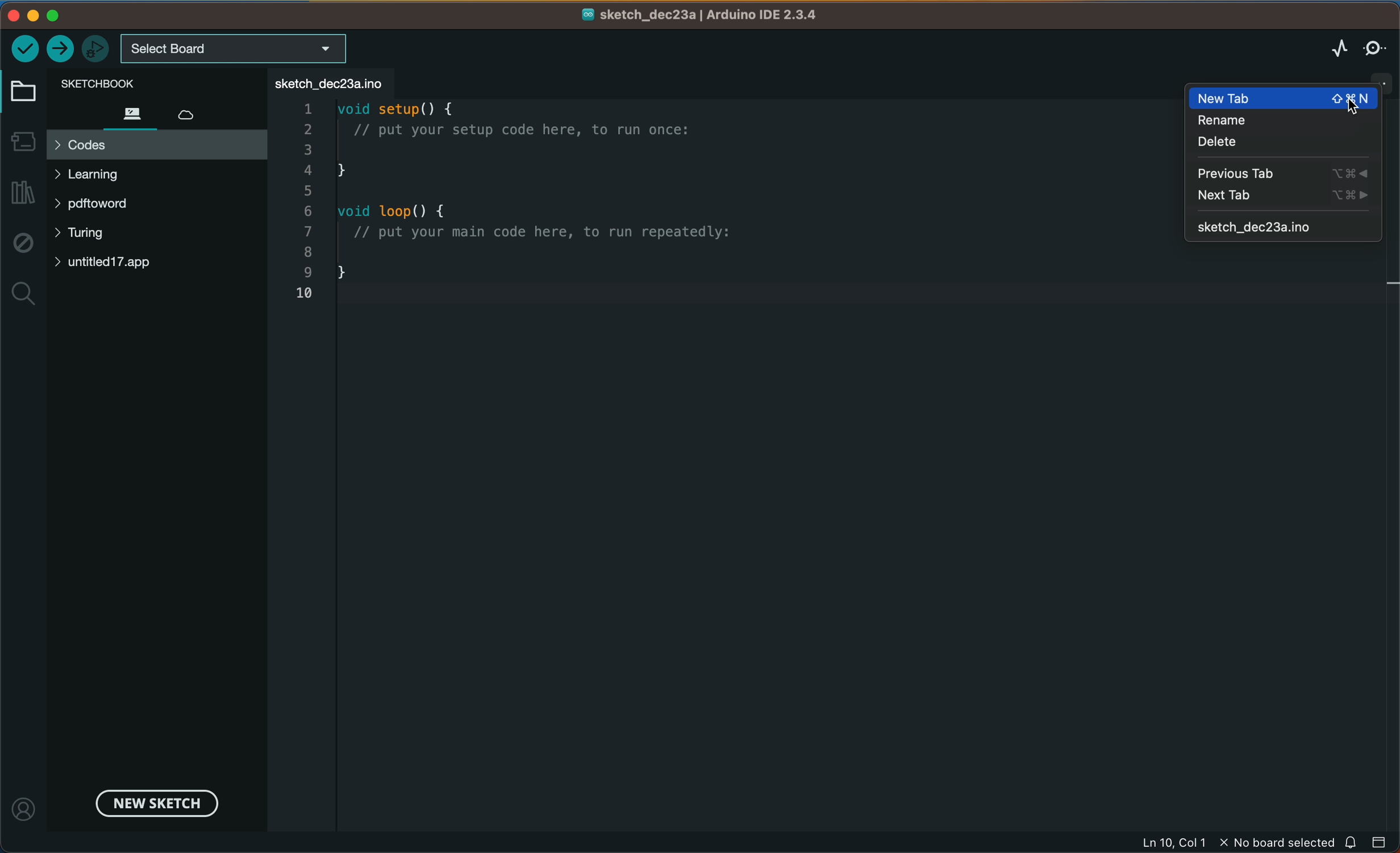 Image resolution: width=1400 pixels, height=853 pixels. Describe the element at coordinates (88, 235) in the screenshot. I see `turing` at that location.